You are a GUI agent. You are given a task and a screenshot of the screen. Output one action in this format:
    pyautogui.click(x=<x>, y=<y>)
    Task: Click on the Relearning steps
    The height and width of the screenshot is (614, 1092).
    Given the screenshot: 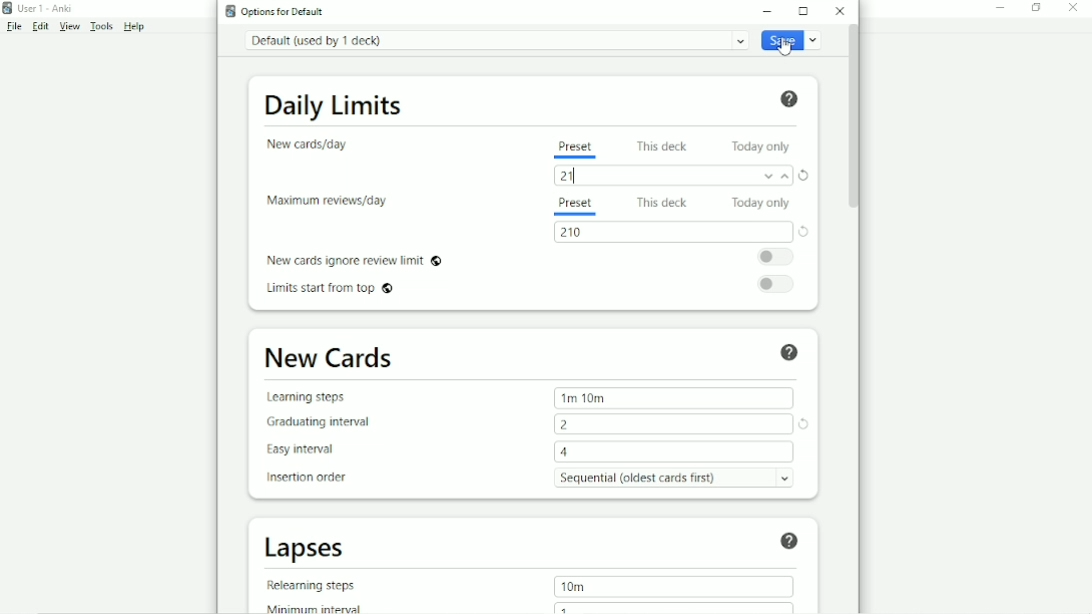 What is the action you would take?
    pyautogui.click(x=317, y=586)
    